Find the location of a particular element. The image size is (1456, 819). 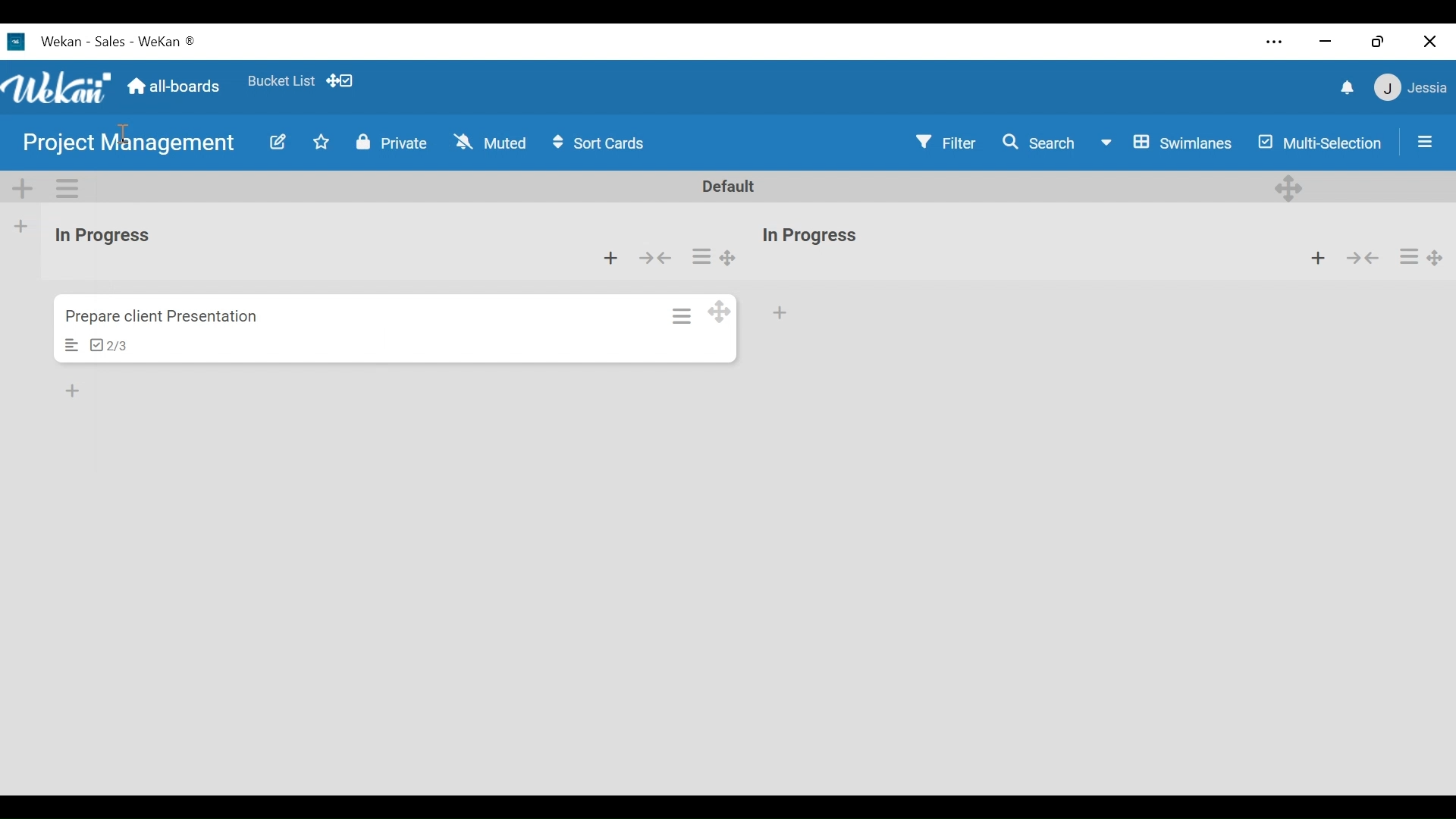

Card actions is located at coordinates (683, 315).